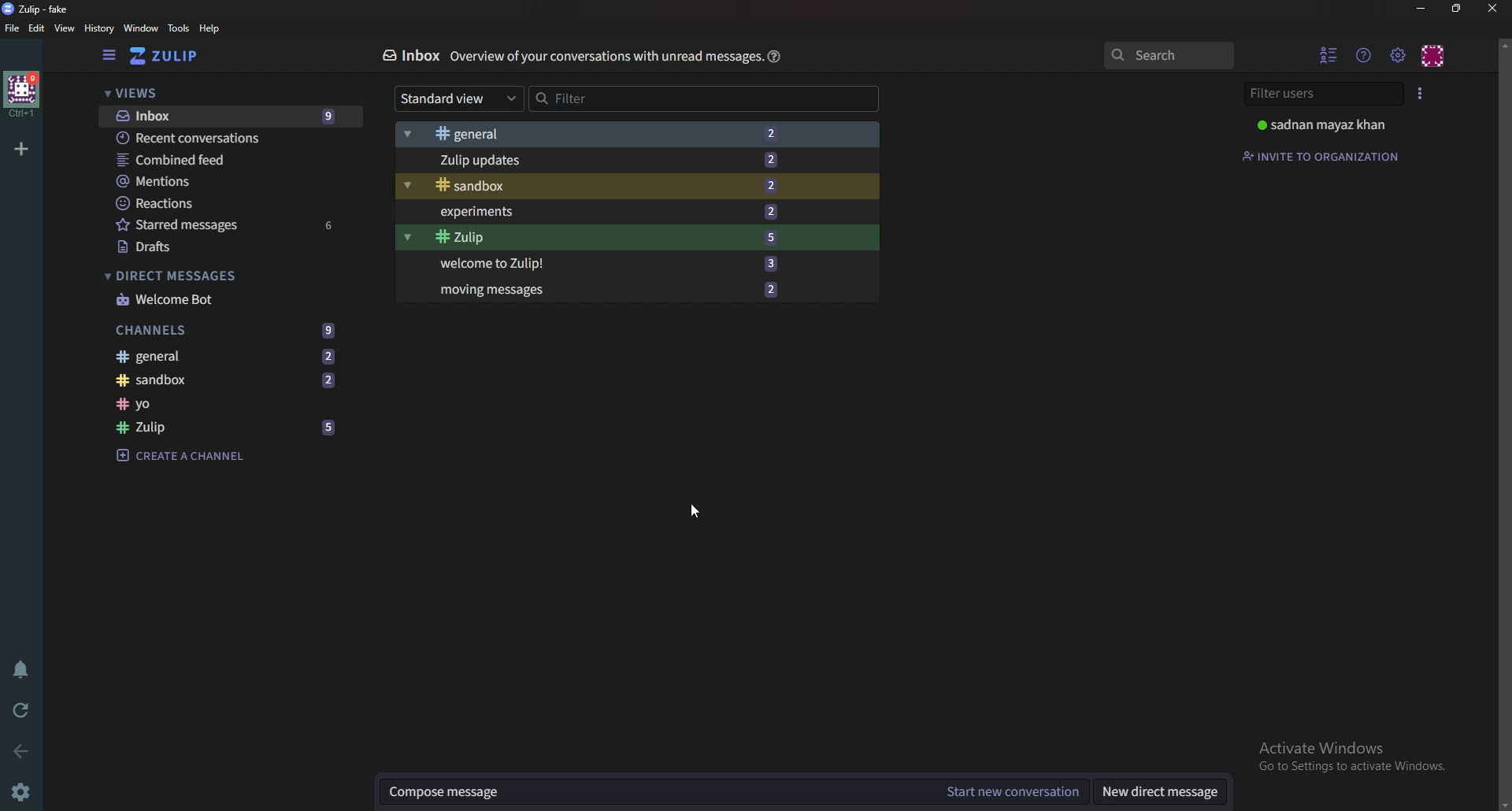  I want to click on starred messages, so click(226, 224).